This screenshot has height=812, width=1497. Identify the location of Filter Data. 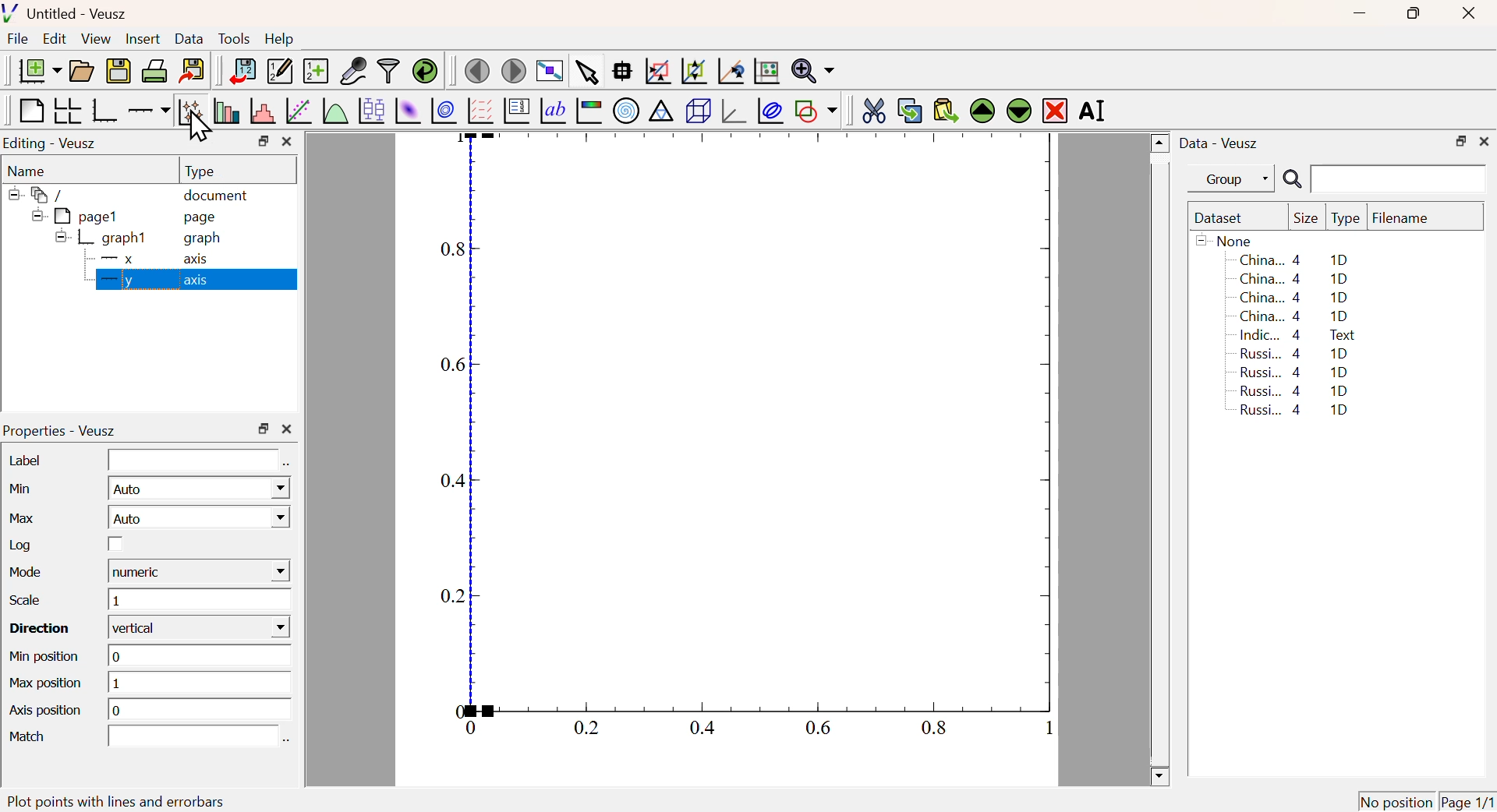
(388, 69).